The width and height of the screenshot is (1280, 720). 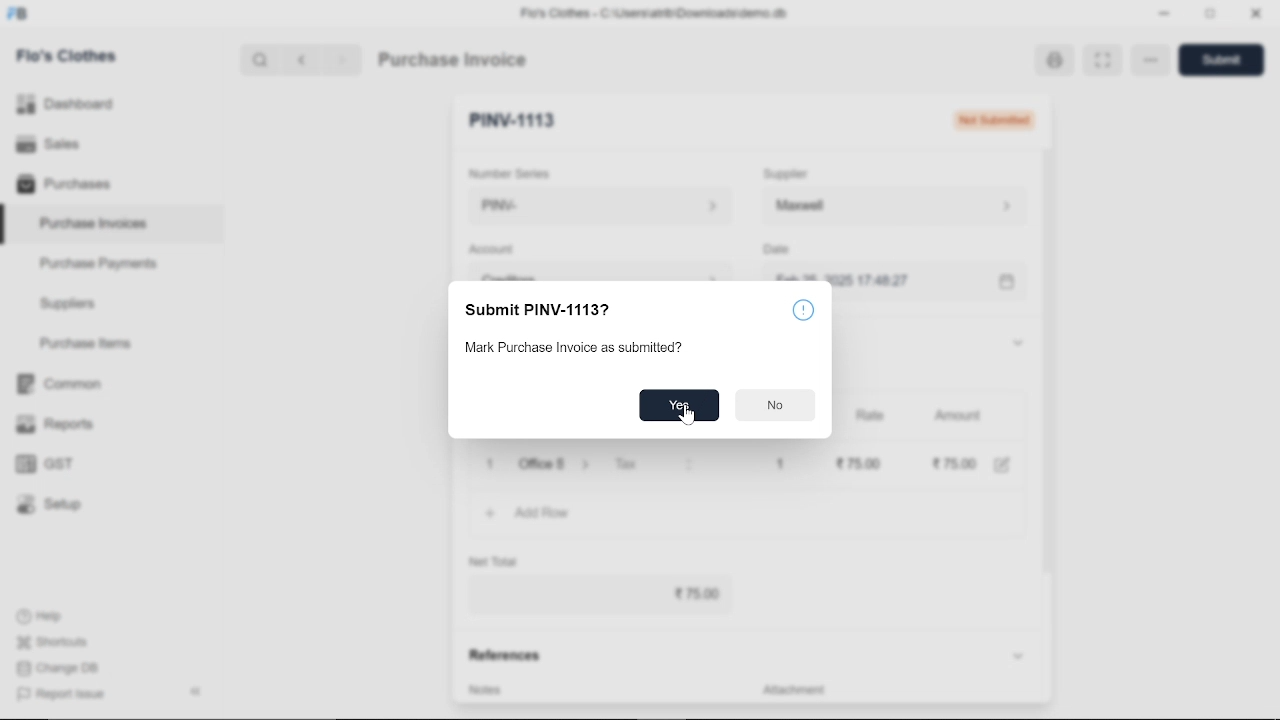 I want to click on No, so click(x=776, y=406).